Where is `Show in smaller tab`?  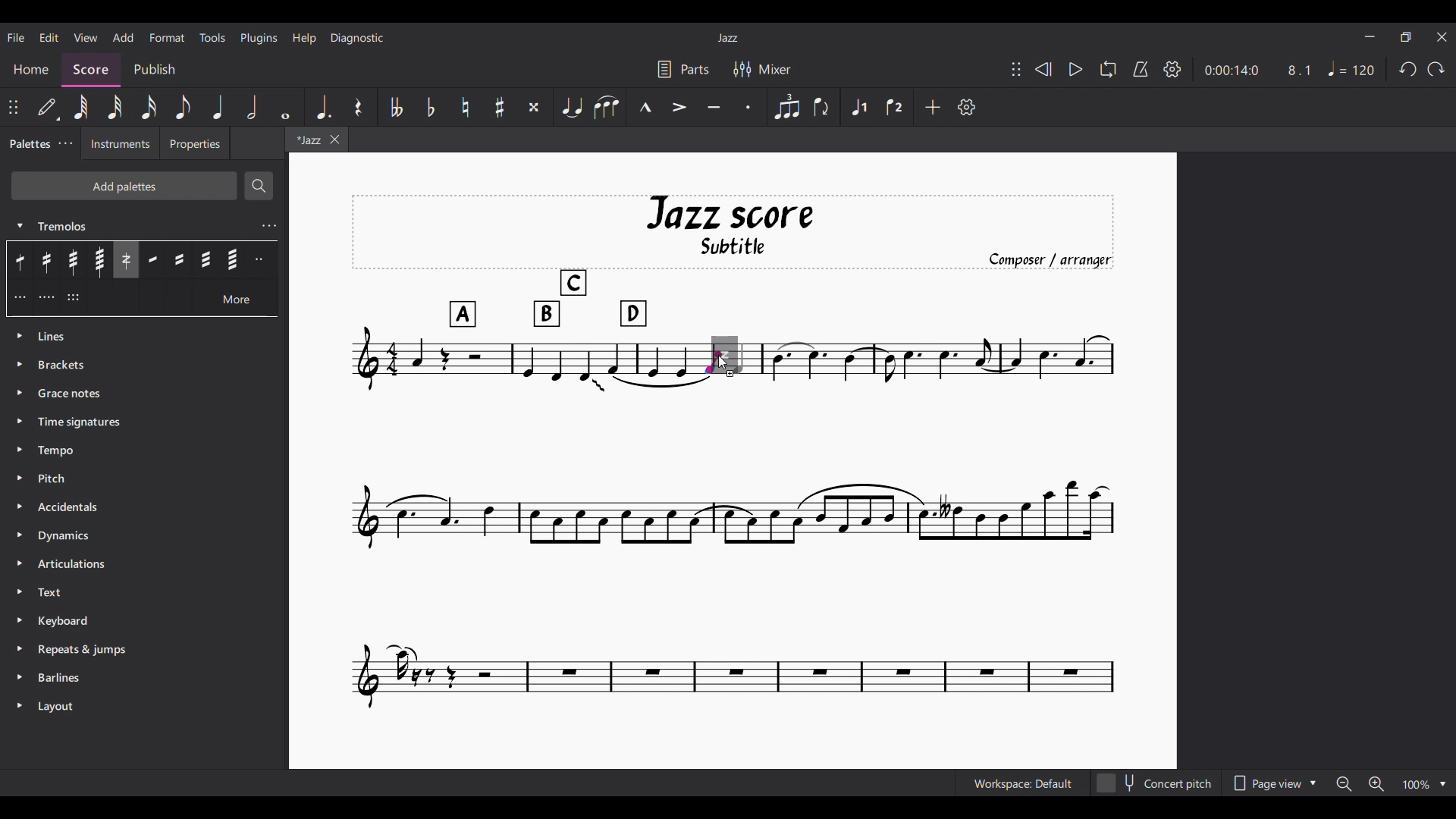 Show in smaller tab is located at coordinates (1406, 36).